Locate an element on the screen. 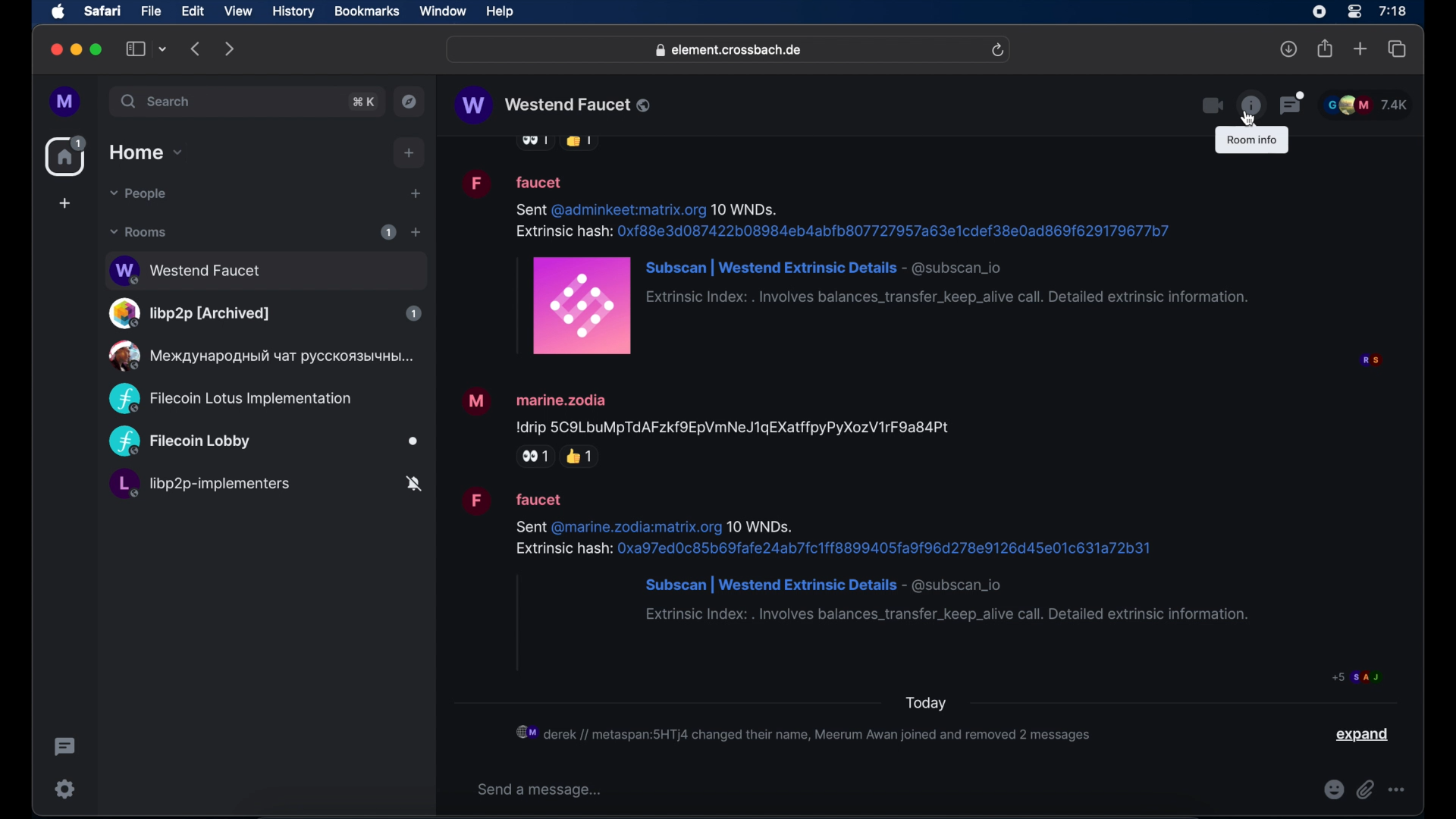 This screenshot has height=819, width=1456. file is located at coordinates (151, 11).